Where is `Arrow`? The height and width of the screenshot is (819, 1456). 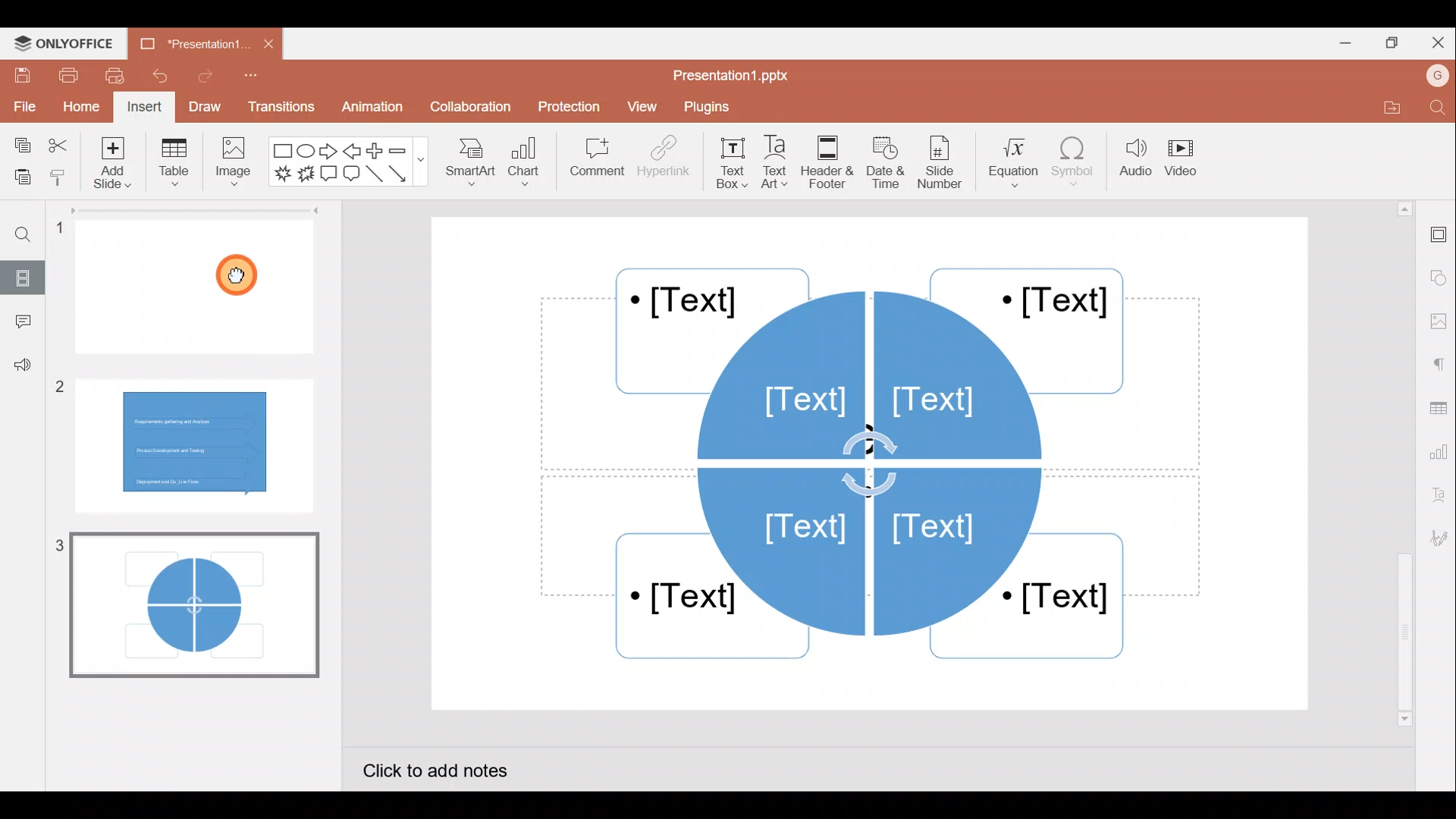
Arrow is located at coordinates (401, 174).